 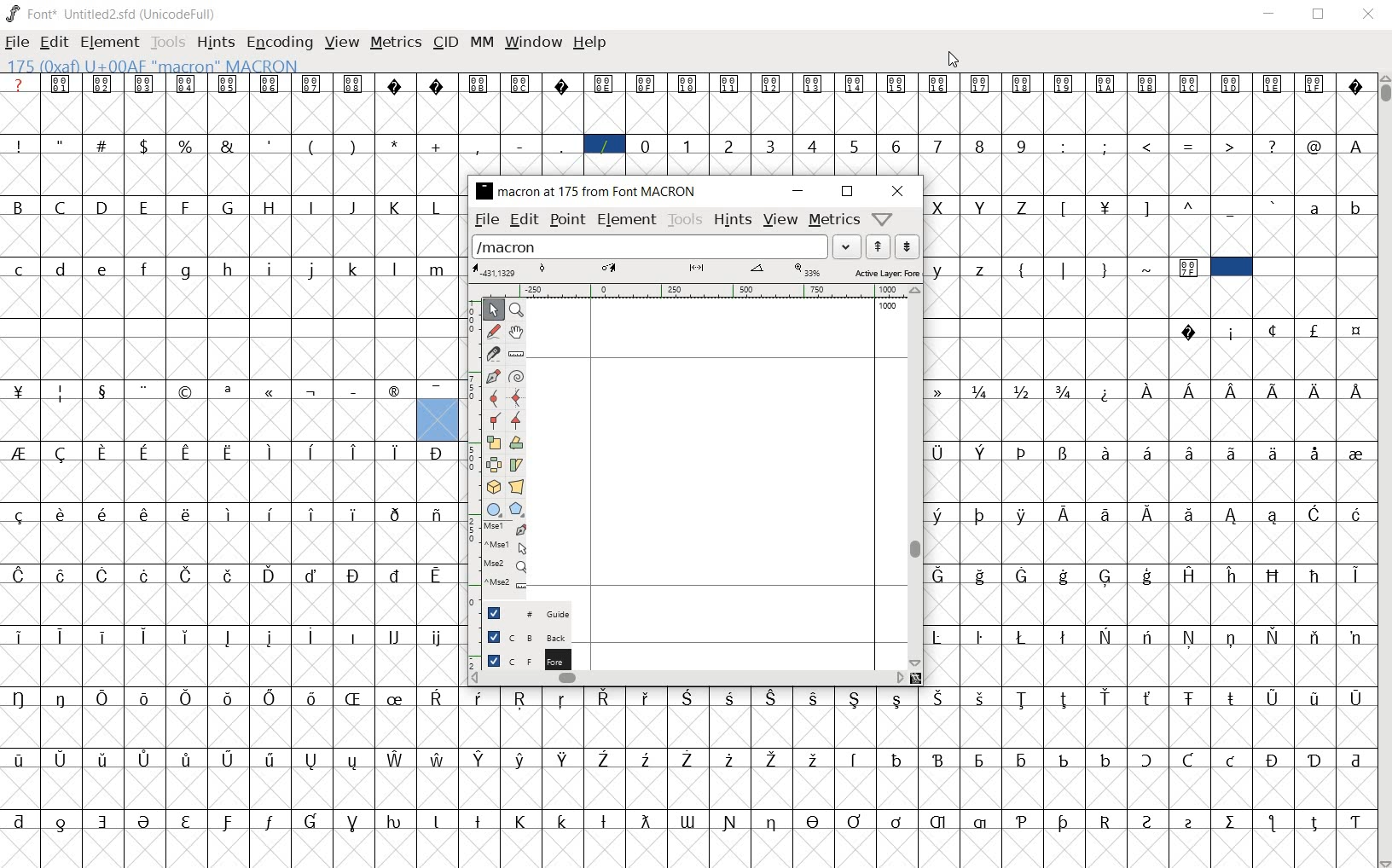 I want to click on Symbol, so click(x=189, y=698).